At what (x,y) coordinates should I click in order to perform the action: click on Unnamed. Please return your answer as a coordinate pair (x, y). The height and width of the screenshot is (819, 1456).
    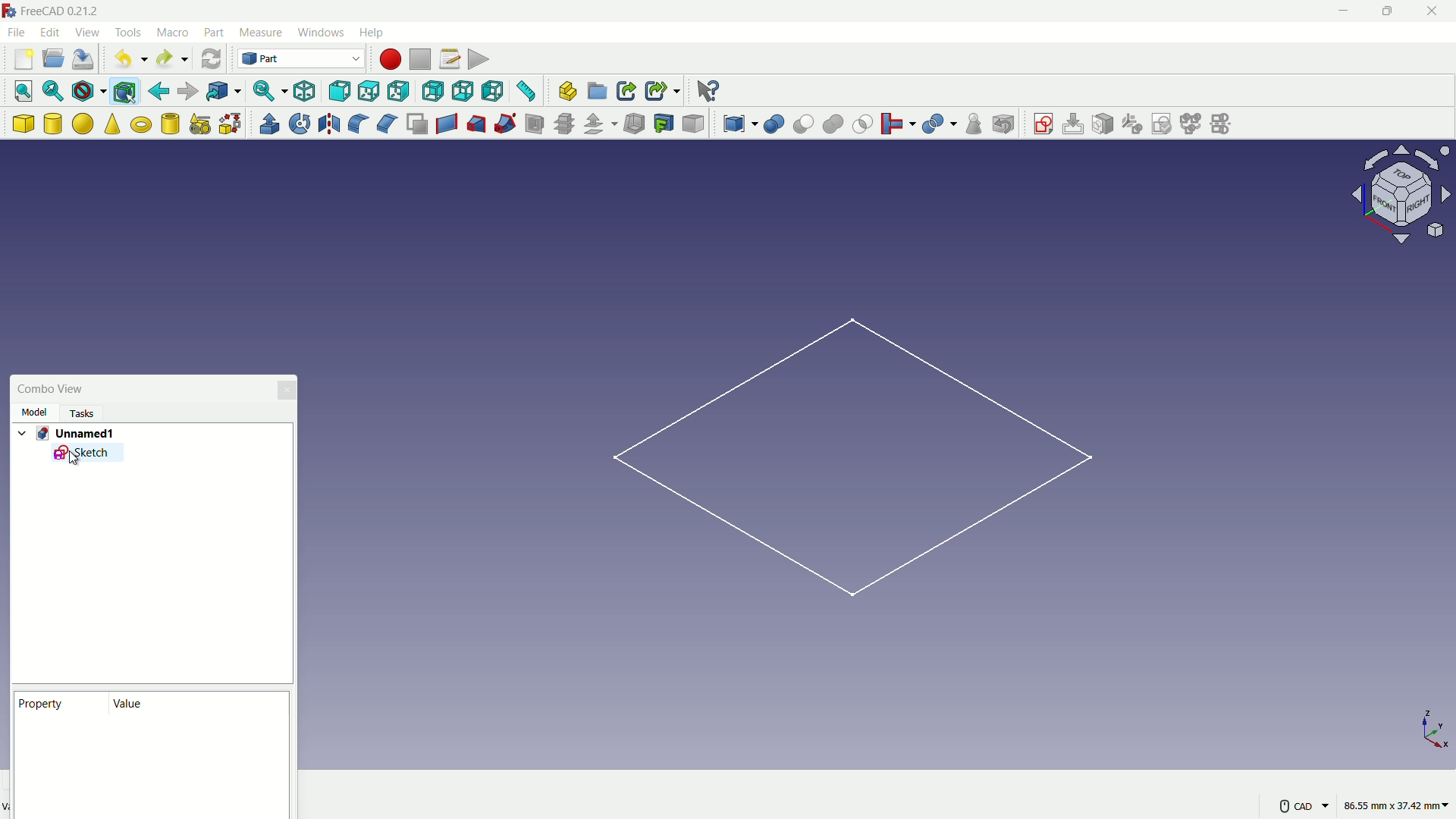
    Looking at the image, I should click on (71, 434).